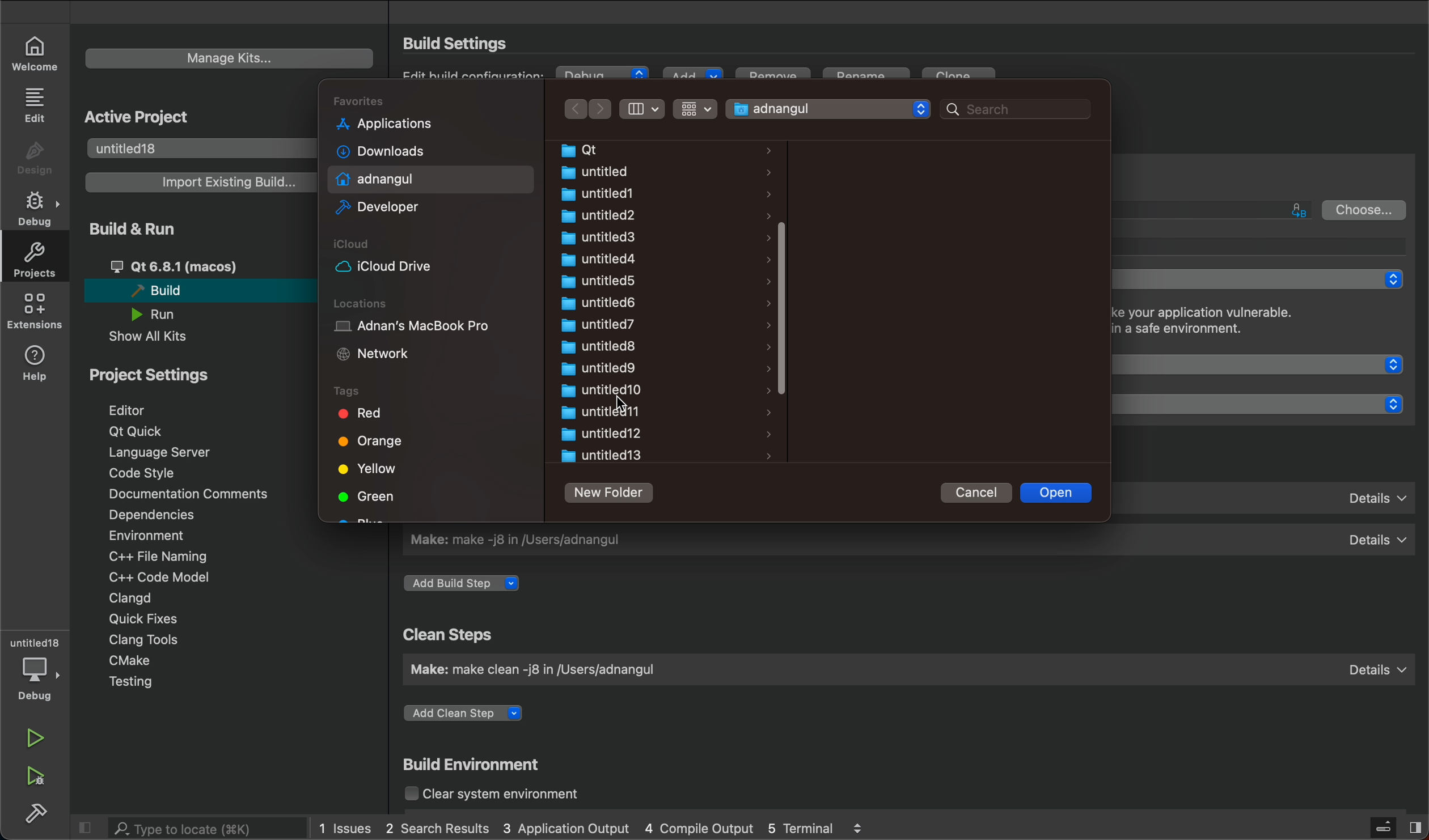  I want to click on documentation comments, so click(205, 495).